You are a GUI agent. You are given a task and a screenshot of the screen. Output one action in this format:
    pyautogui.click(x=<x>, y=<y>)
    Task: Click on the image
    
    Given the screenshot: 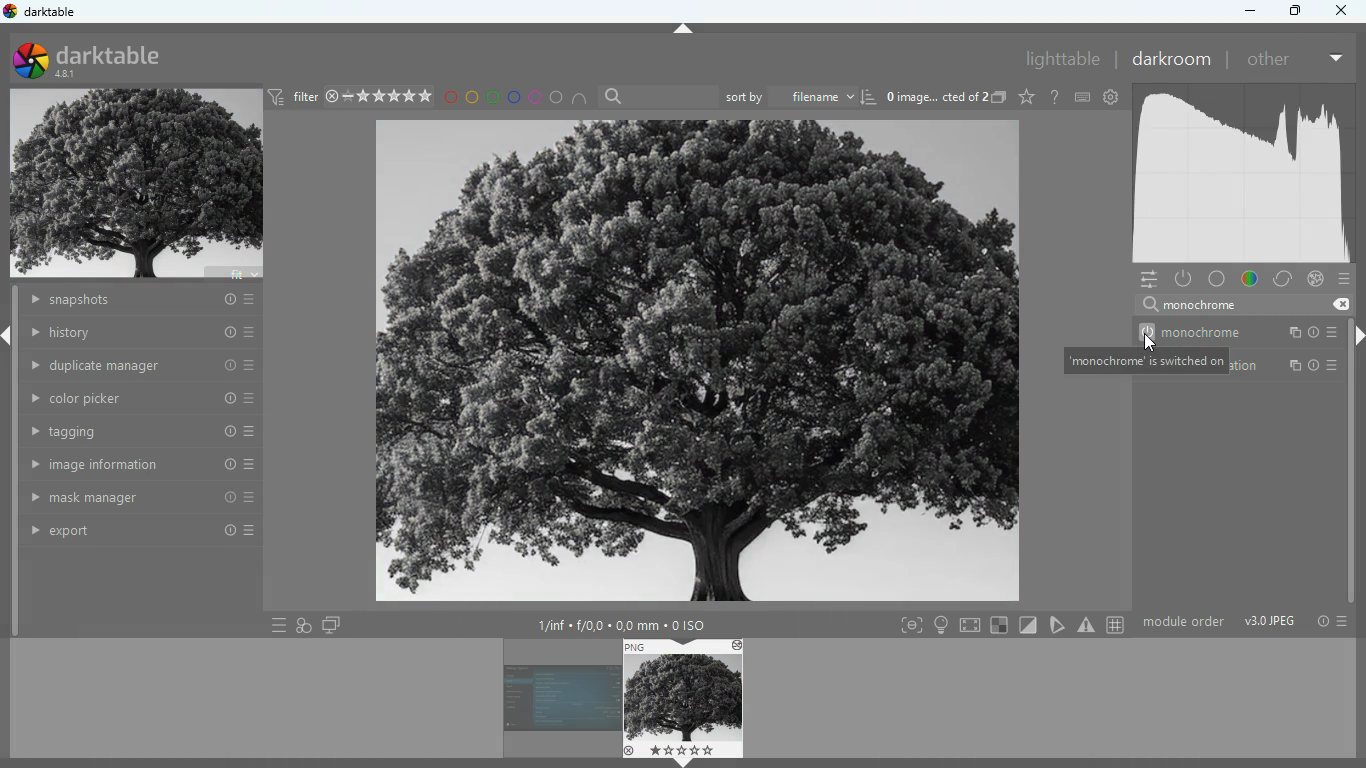 What is the action you would take?
    pyautogui.click(x=698, y=362)
    